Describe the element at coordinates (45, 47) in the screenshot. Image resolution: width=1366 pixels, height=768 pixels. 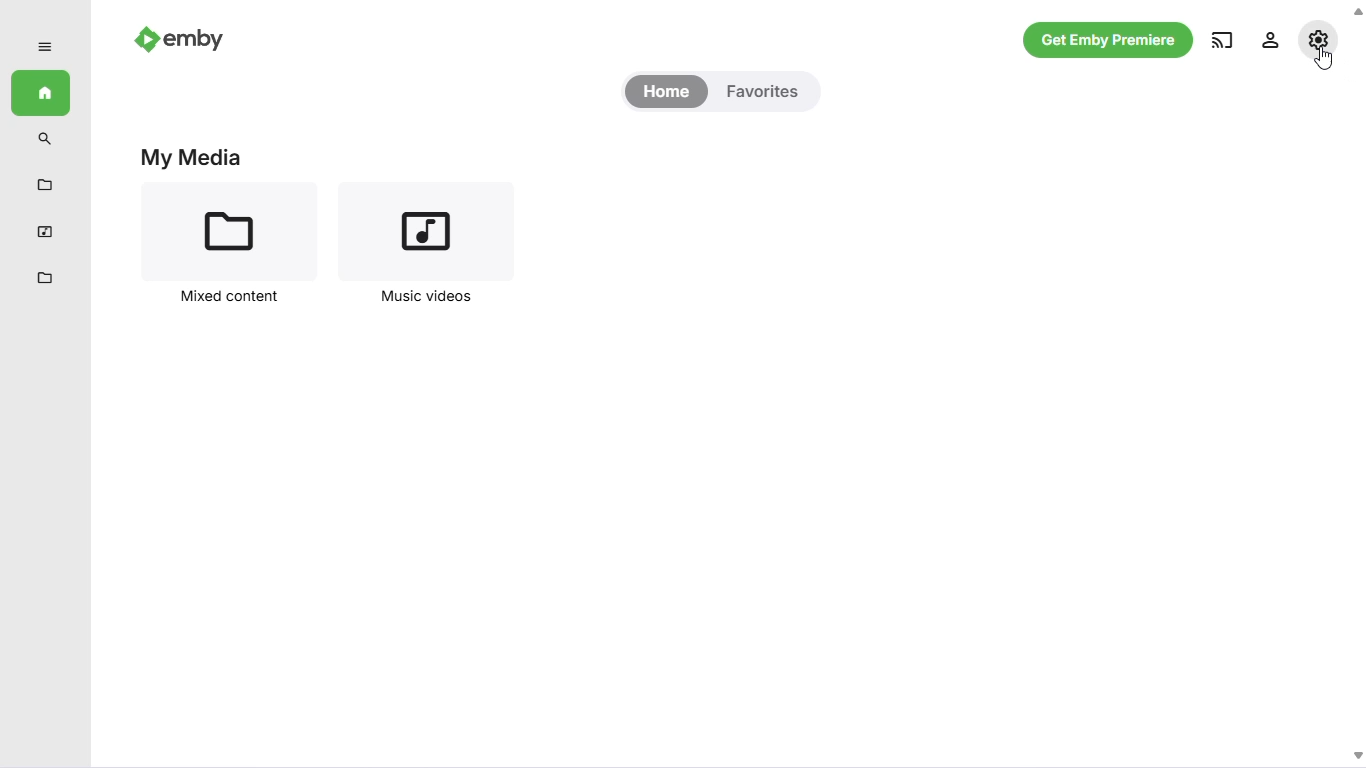
I see `expand` at that location.